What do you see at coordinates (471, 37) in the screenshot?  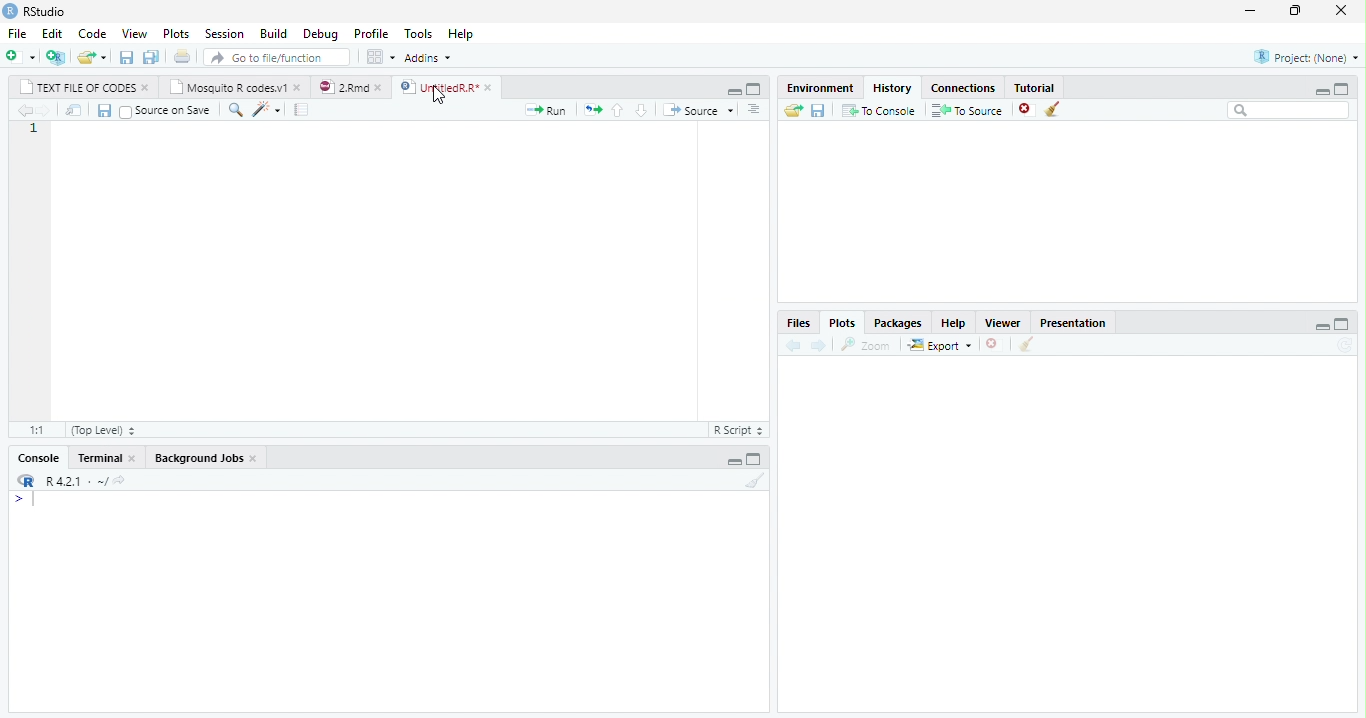 I see `help` at bounding box center [471, 37].